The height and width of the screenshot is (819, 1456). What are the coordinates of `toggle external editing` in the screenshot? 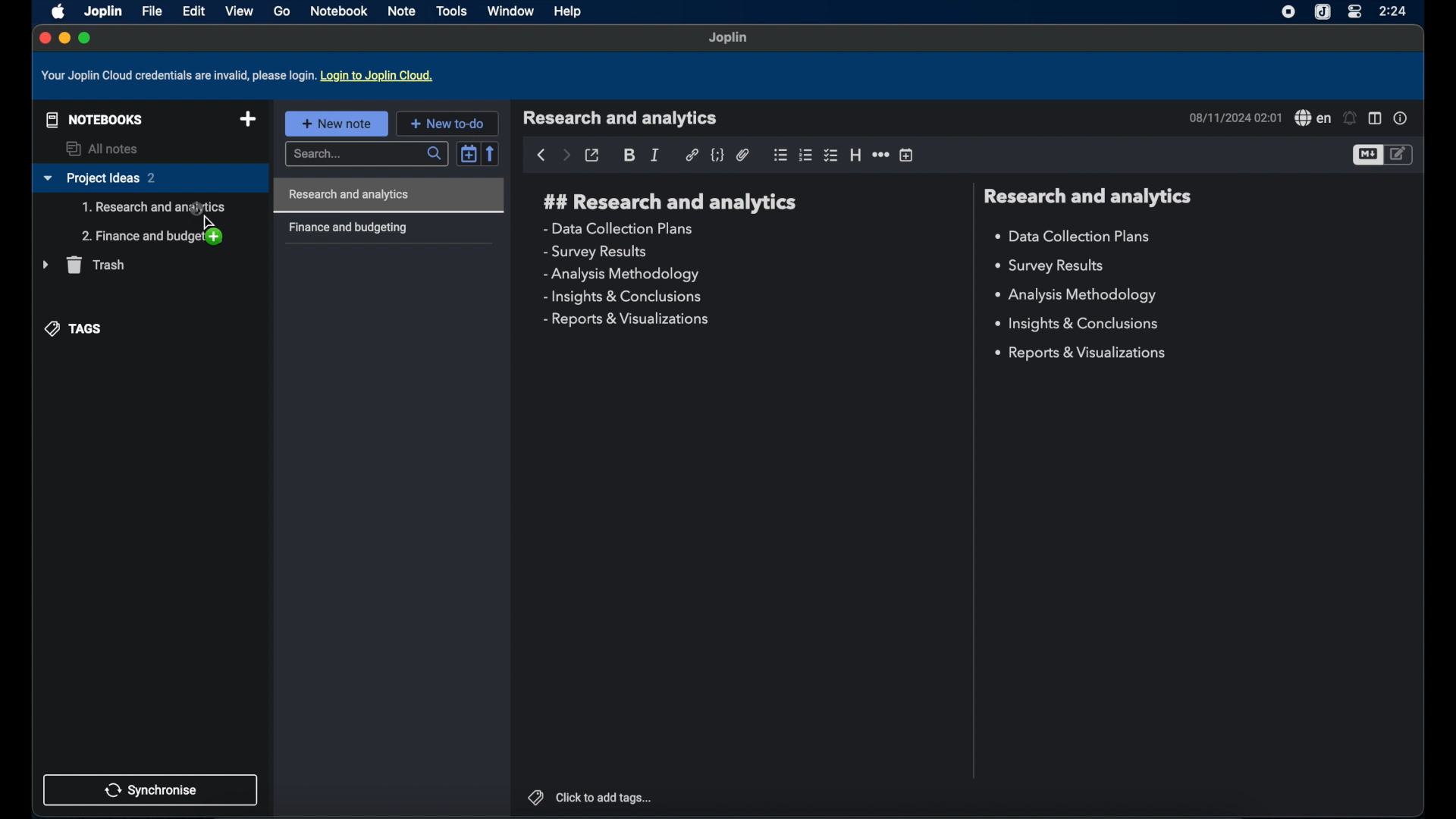 It's located at (593, 155).